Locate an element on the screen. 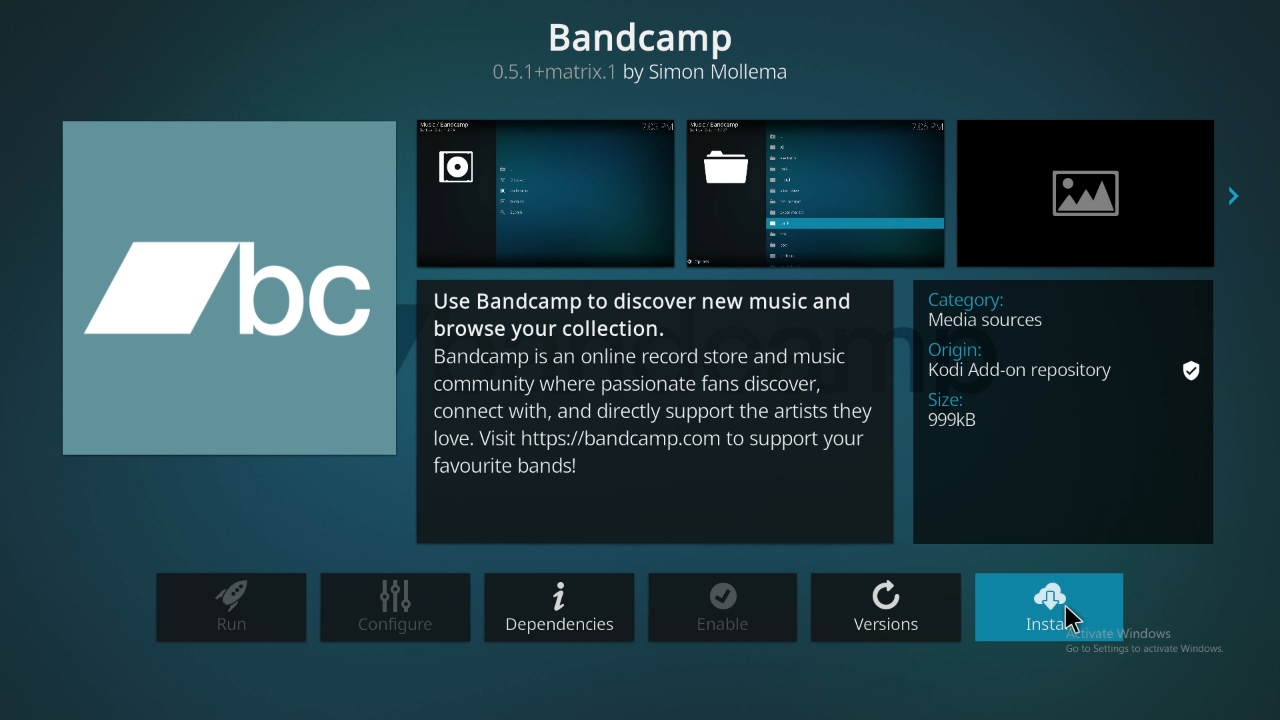 The image size is (1280, 720). info is located at coordinates (654, 413).